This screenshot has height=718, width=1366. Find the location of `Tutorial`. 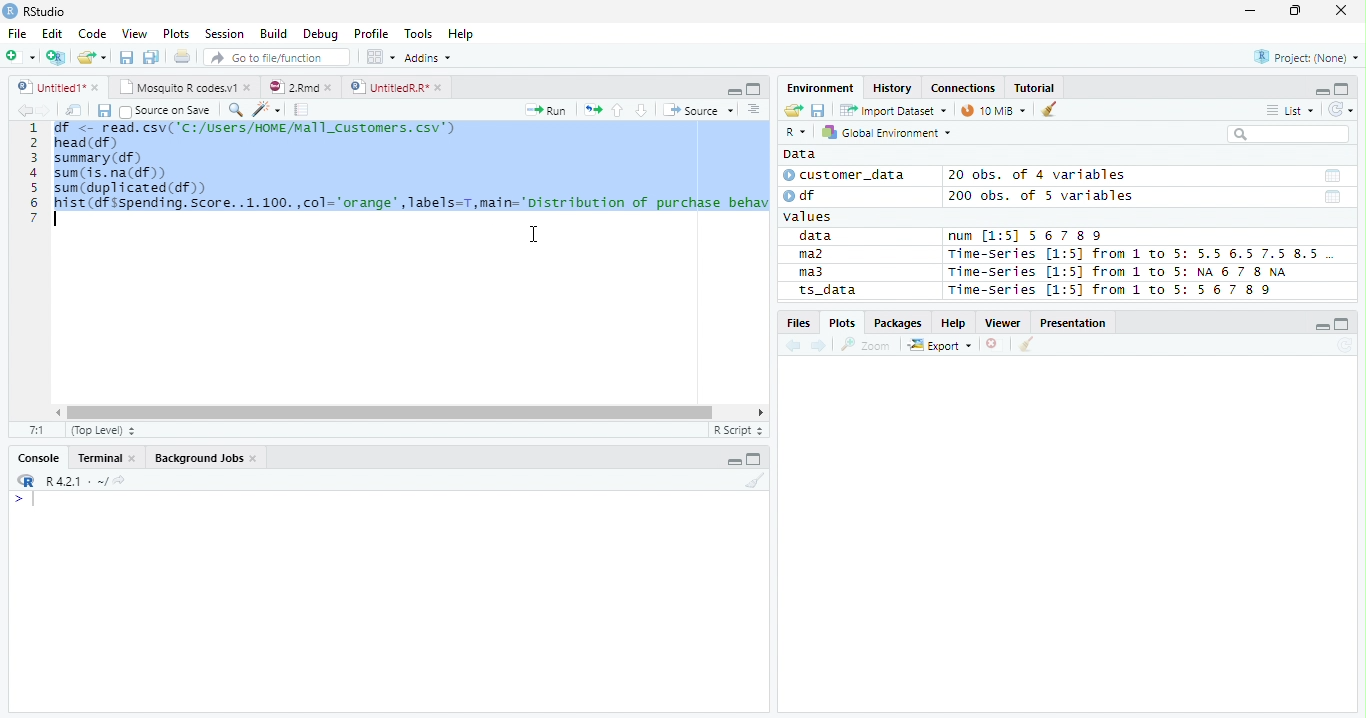

Tutorial is located at coordinates (1035, 87).